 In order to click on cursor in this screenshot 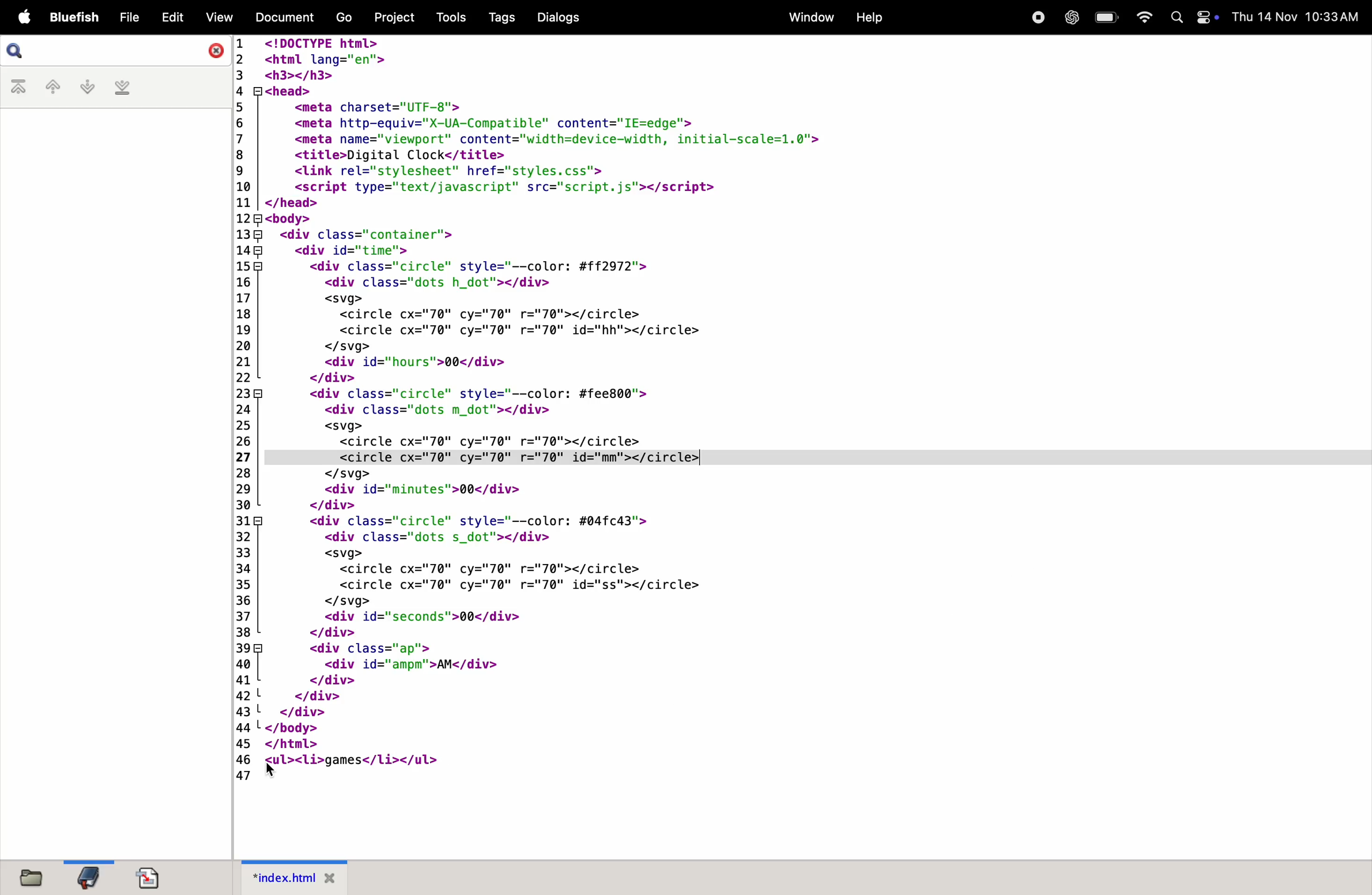, I will do `click(272, 768)`.